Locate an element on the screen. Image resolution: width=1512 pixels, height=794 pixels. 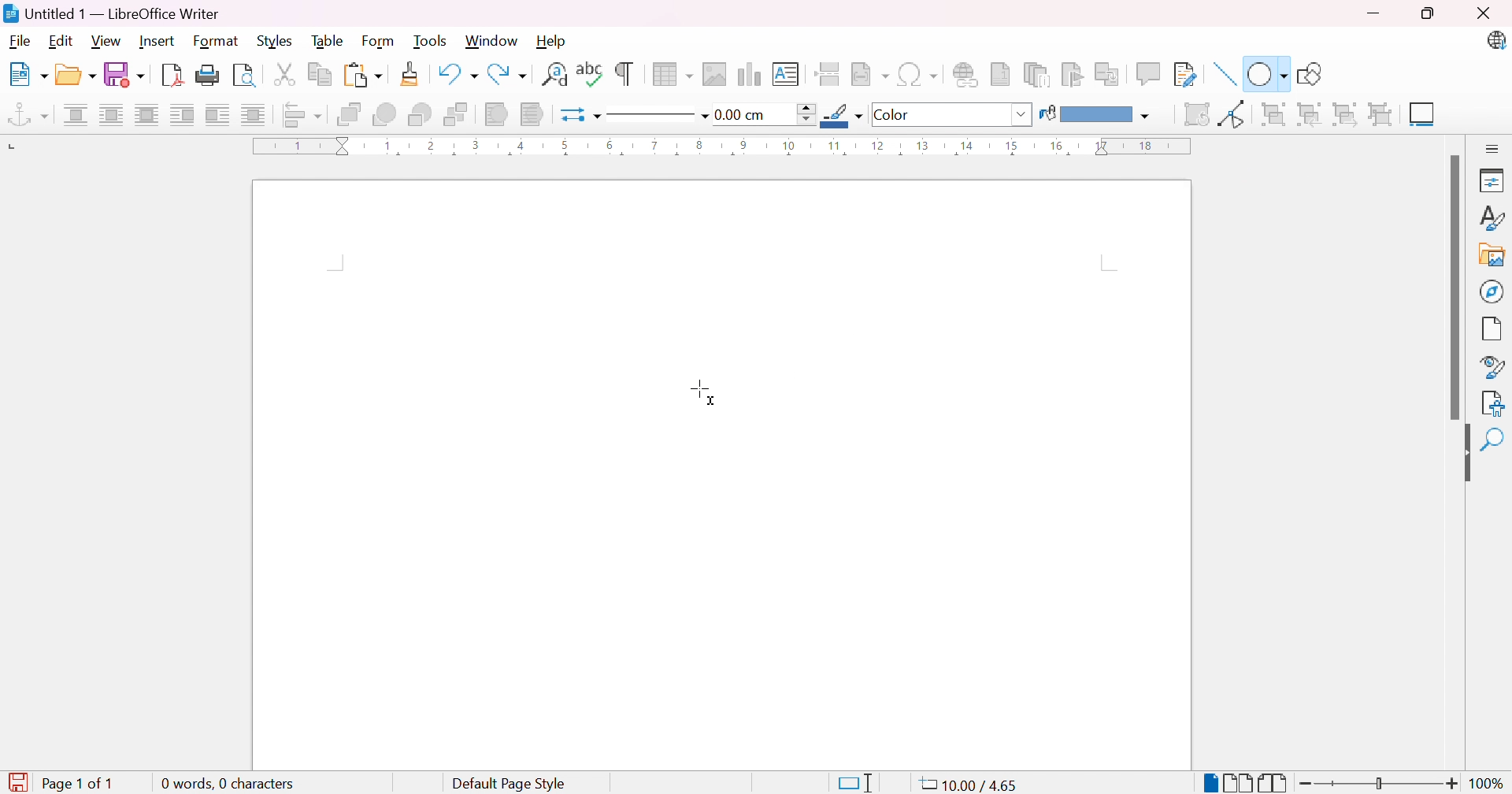
Help is located at coordinates (552, 40).